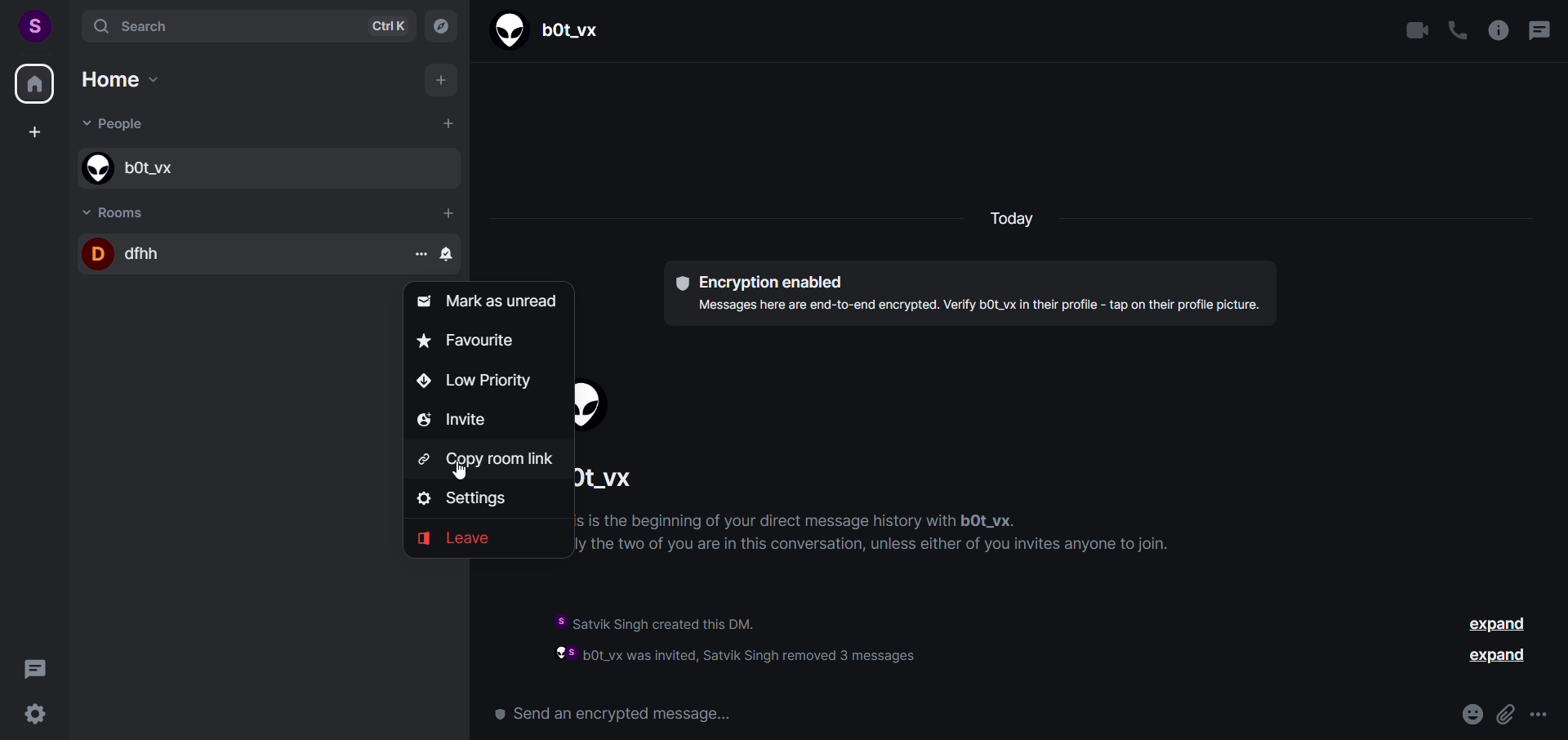 The height and width of the screenshot is (740, 1568). What do you see at coordinates (449, 253) in the screenshot?
I see `notification` at bounding box center [449, 253].